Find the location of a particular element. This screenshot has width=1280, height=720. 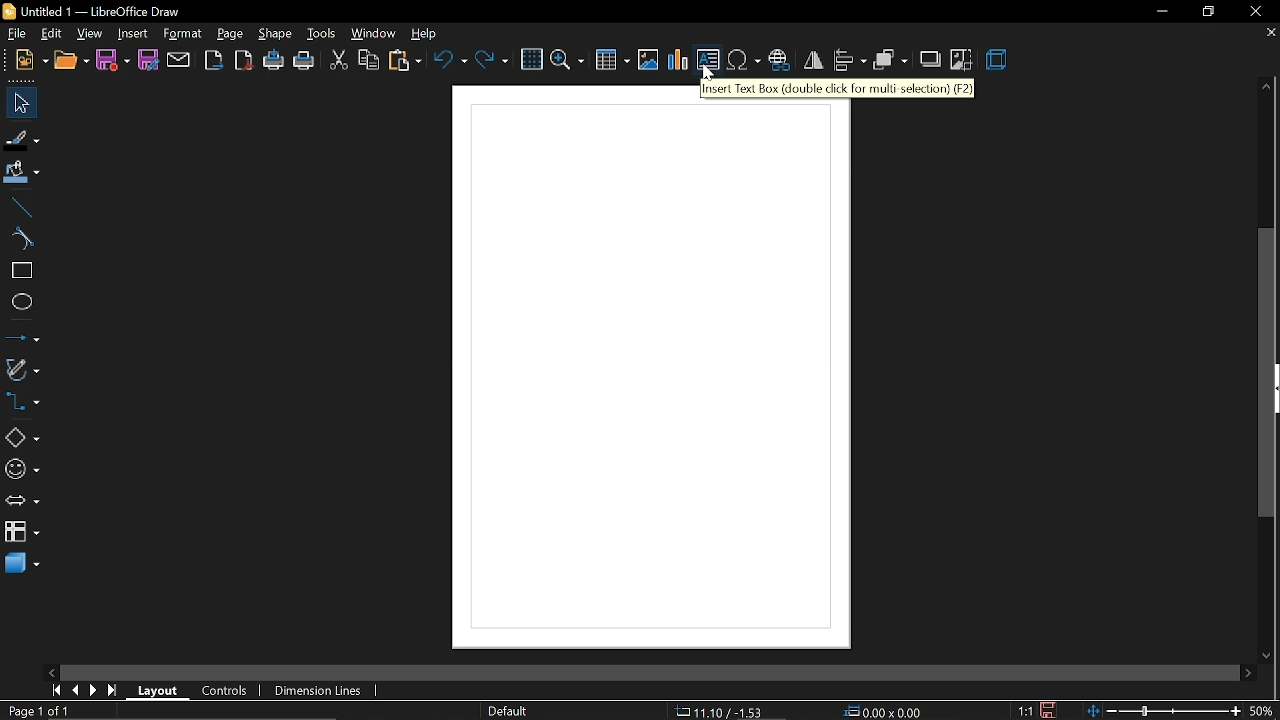

format is located at coordinates (182, 33).